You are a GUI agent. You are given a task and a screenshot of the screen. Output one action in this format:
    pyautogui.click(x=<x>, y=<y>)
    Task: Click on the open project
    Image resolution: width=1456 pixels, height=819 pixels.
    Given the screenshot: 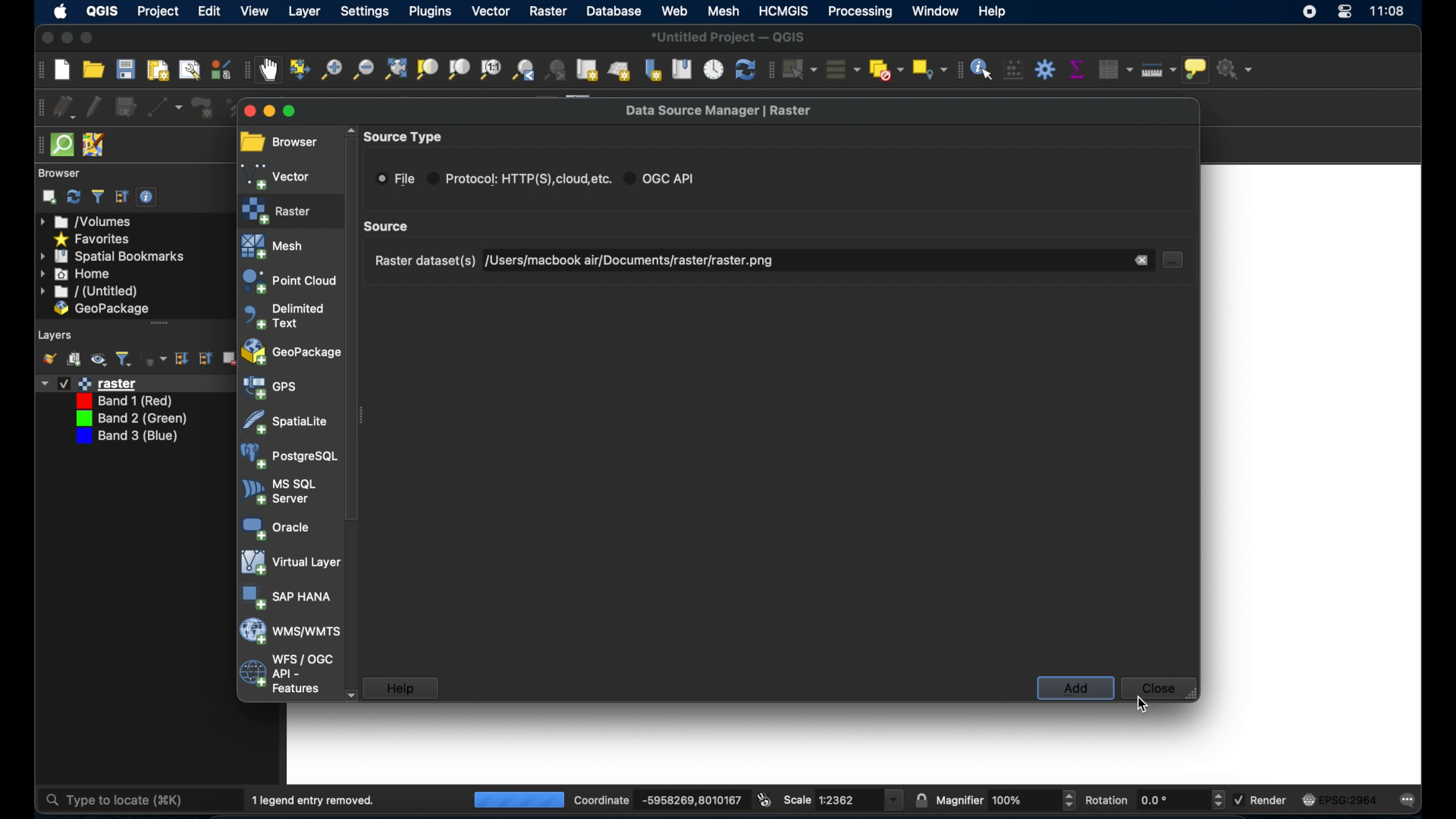 What is the action you would take?
    pyautogui.click(x=95, y=69)
    